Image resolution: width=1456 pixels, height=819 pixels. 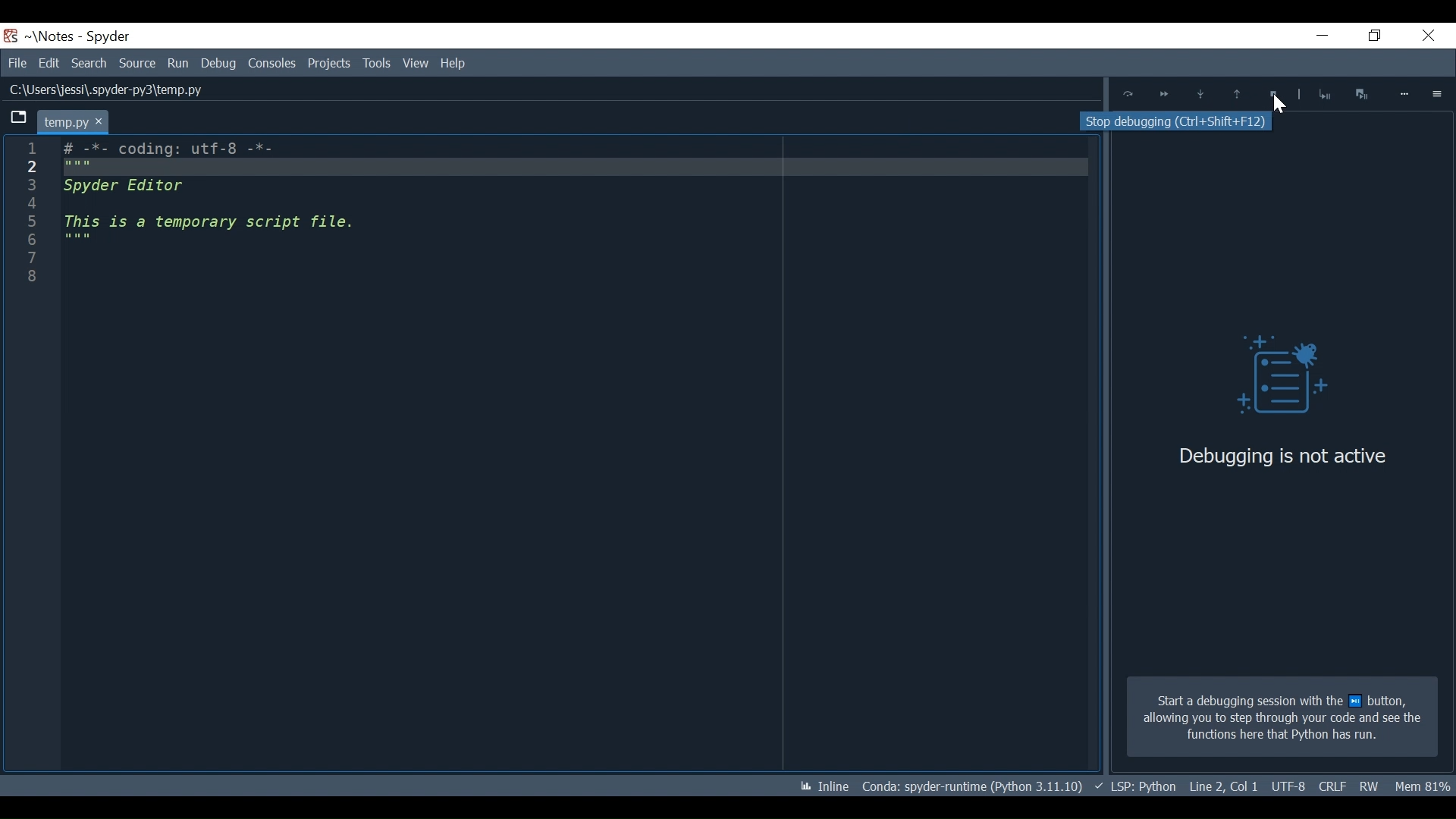 I want to click on Current tab, so click(x=72, y=121).